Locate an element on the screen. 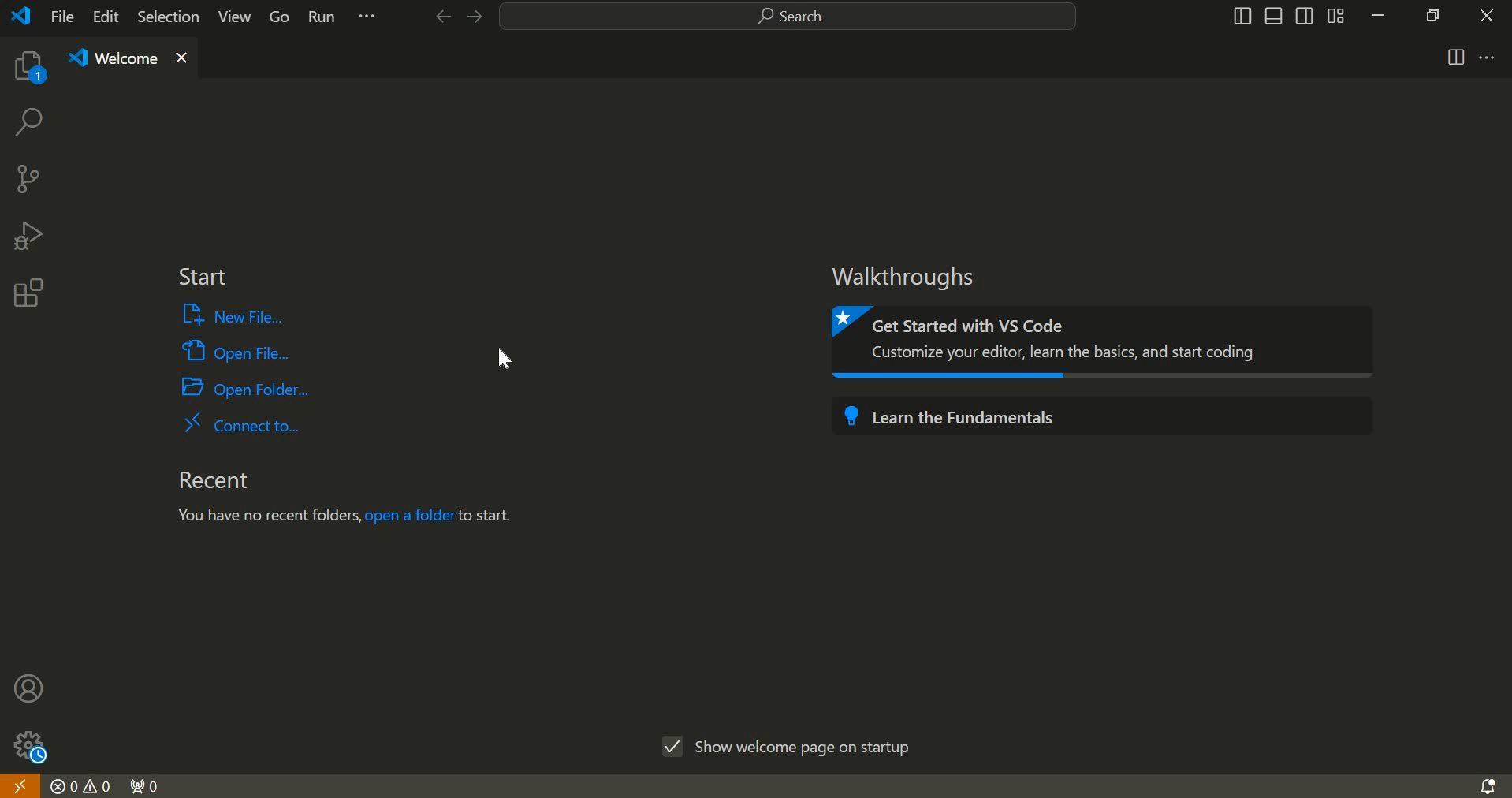 This screenshot has height=798, width=1512. recent is located at coordinates (212, 480).